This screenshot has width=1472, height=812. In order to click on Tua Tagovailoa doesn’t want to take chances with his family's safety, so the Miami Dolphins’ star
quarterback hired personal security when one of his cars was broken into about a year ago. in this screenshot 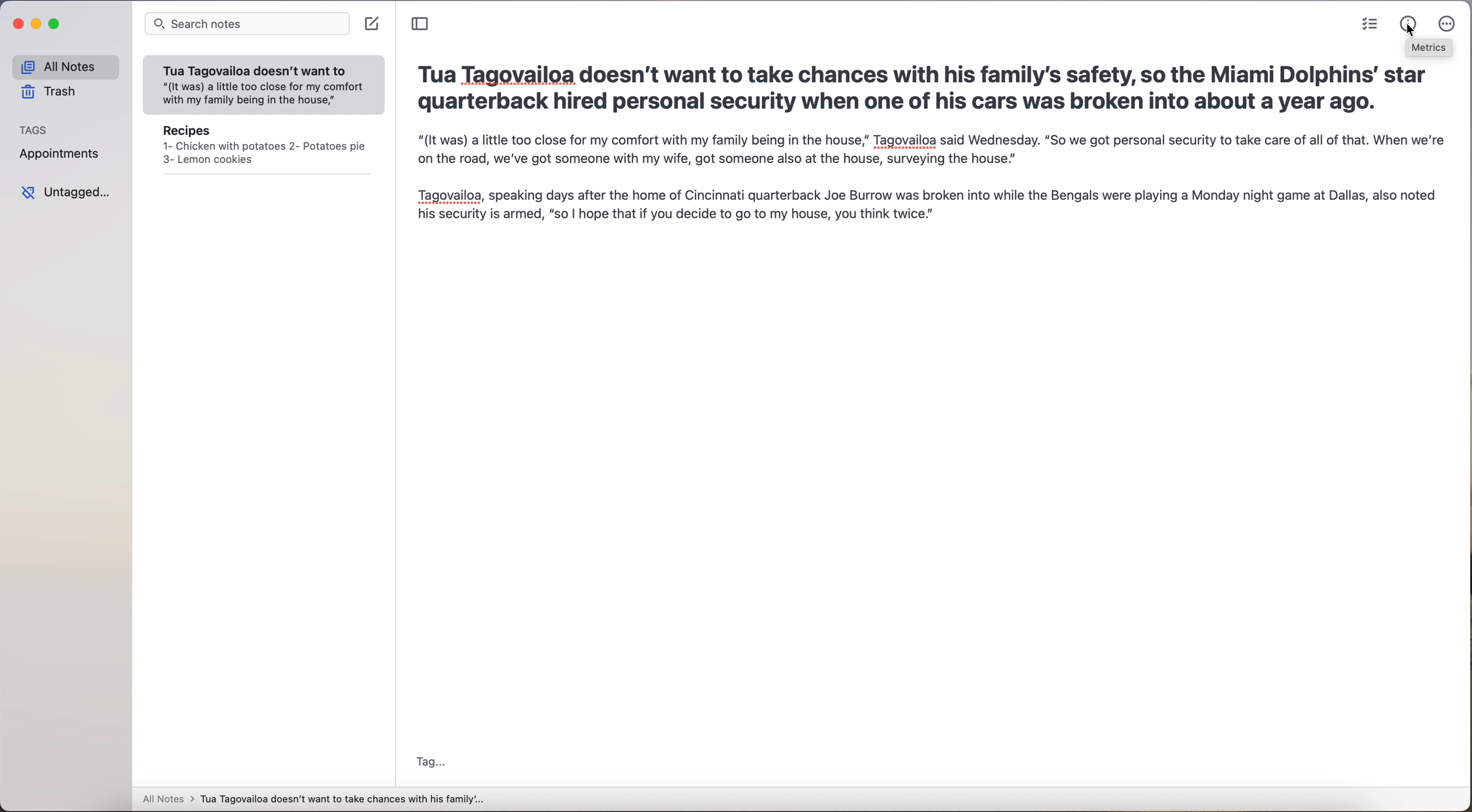, I will do `click(921, 91)`.